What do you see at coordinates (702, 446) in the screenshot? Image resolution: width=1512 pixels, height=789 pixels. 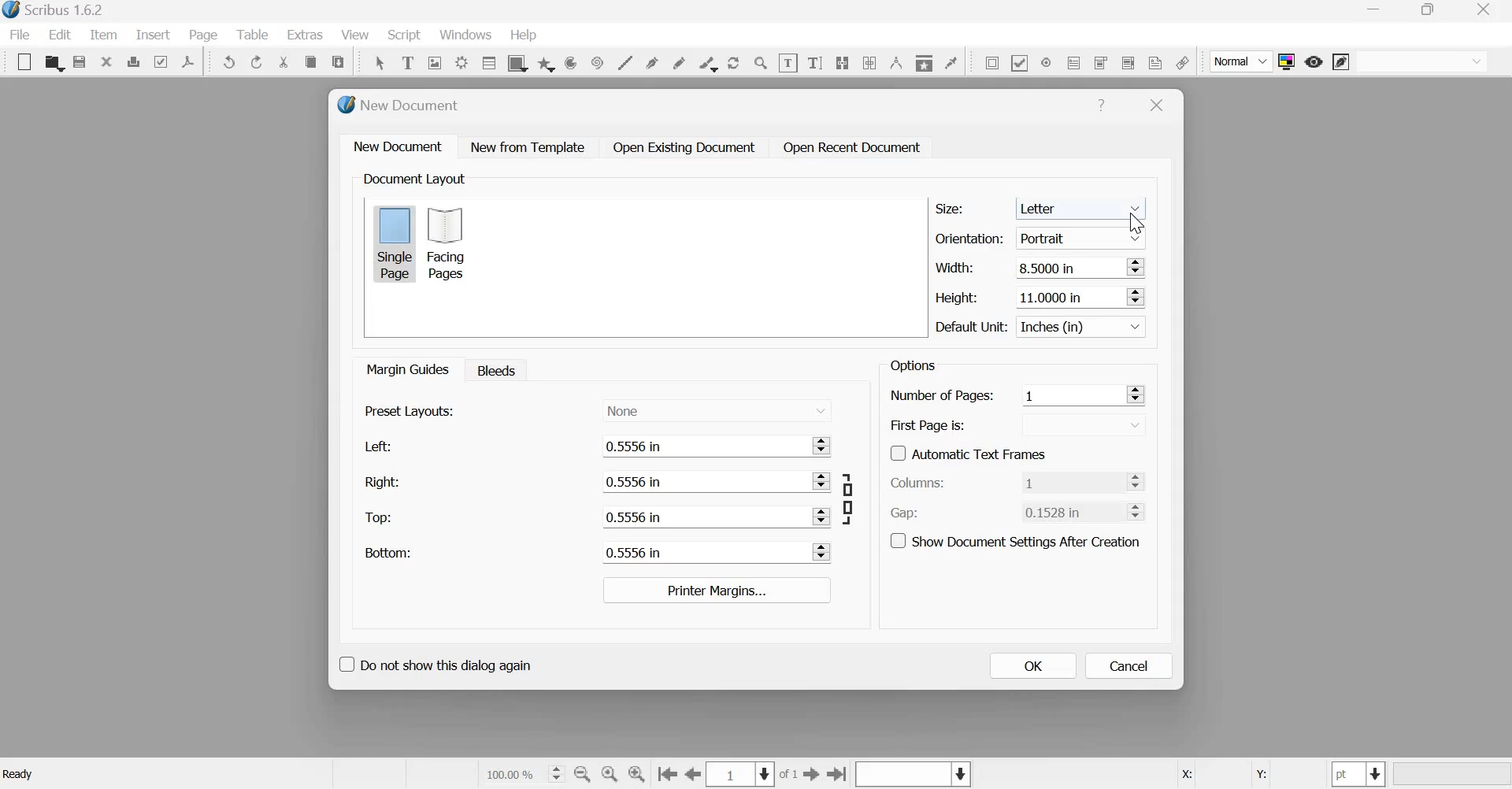 I see `0.5556 in` at bounding box center [702, 446].